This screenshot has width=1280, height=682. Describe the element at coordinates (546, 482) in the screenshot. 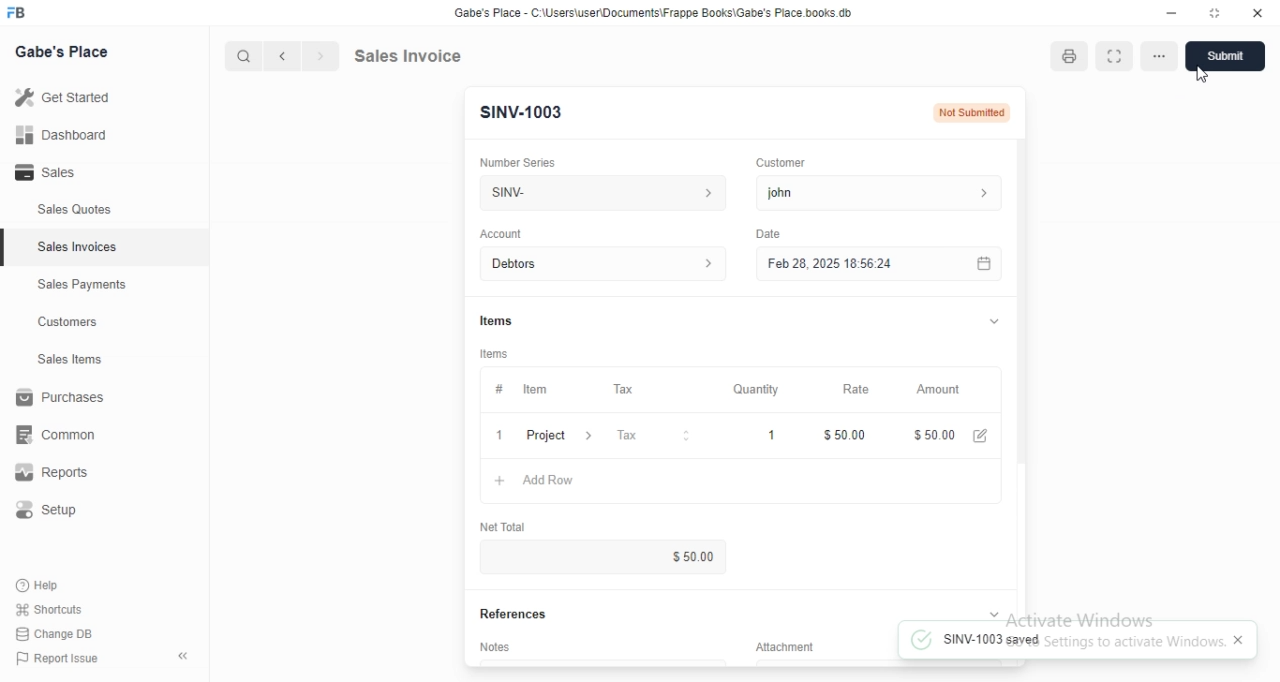

I see `+ Add Row` at that location.